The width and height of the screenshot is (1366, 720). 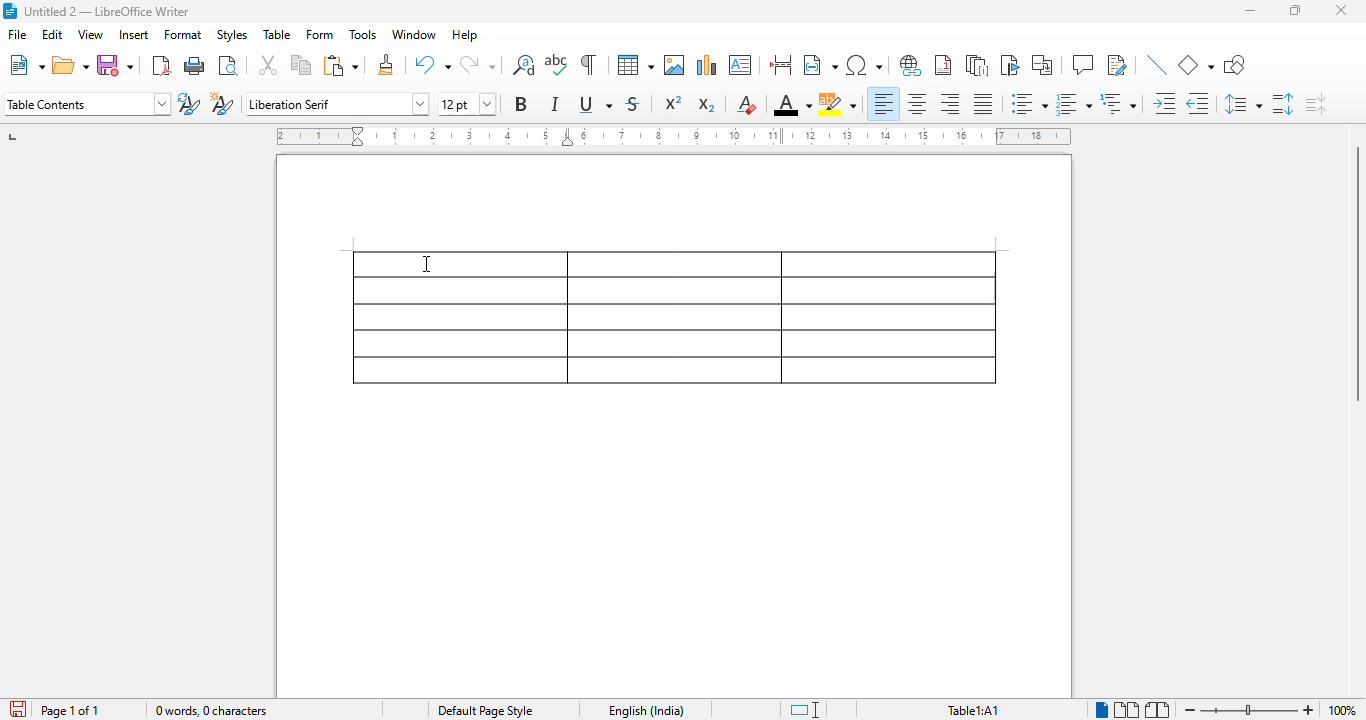 I want to click on styles, so click(x=232, y=35).